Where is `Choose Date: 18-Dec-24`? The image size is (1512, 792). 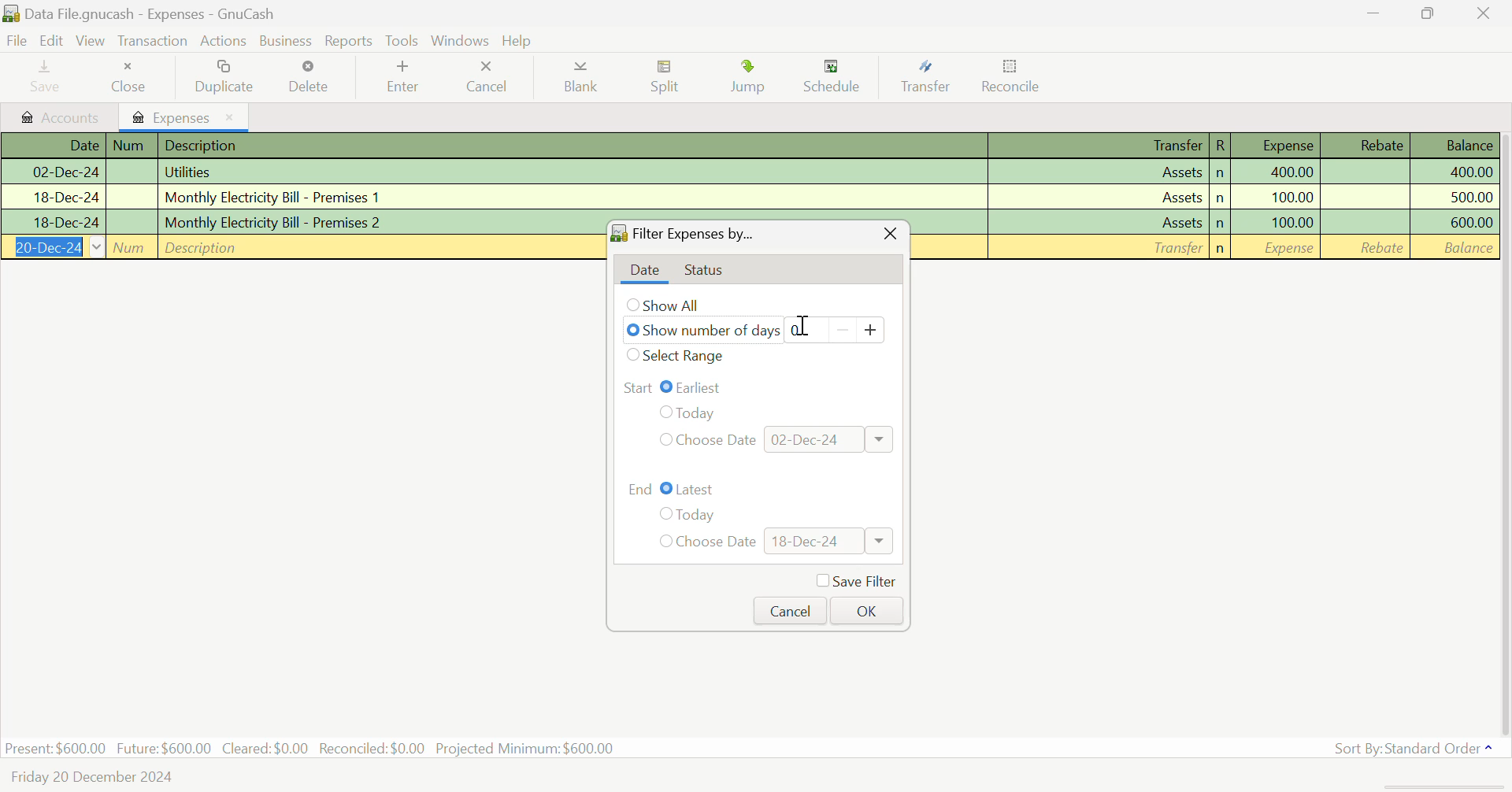 Choose Date: 18-Dec-24 is located at coordinates (776, 542).